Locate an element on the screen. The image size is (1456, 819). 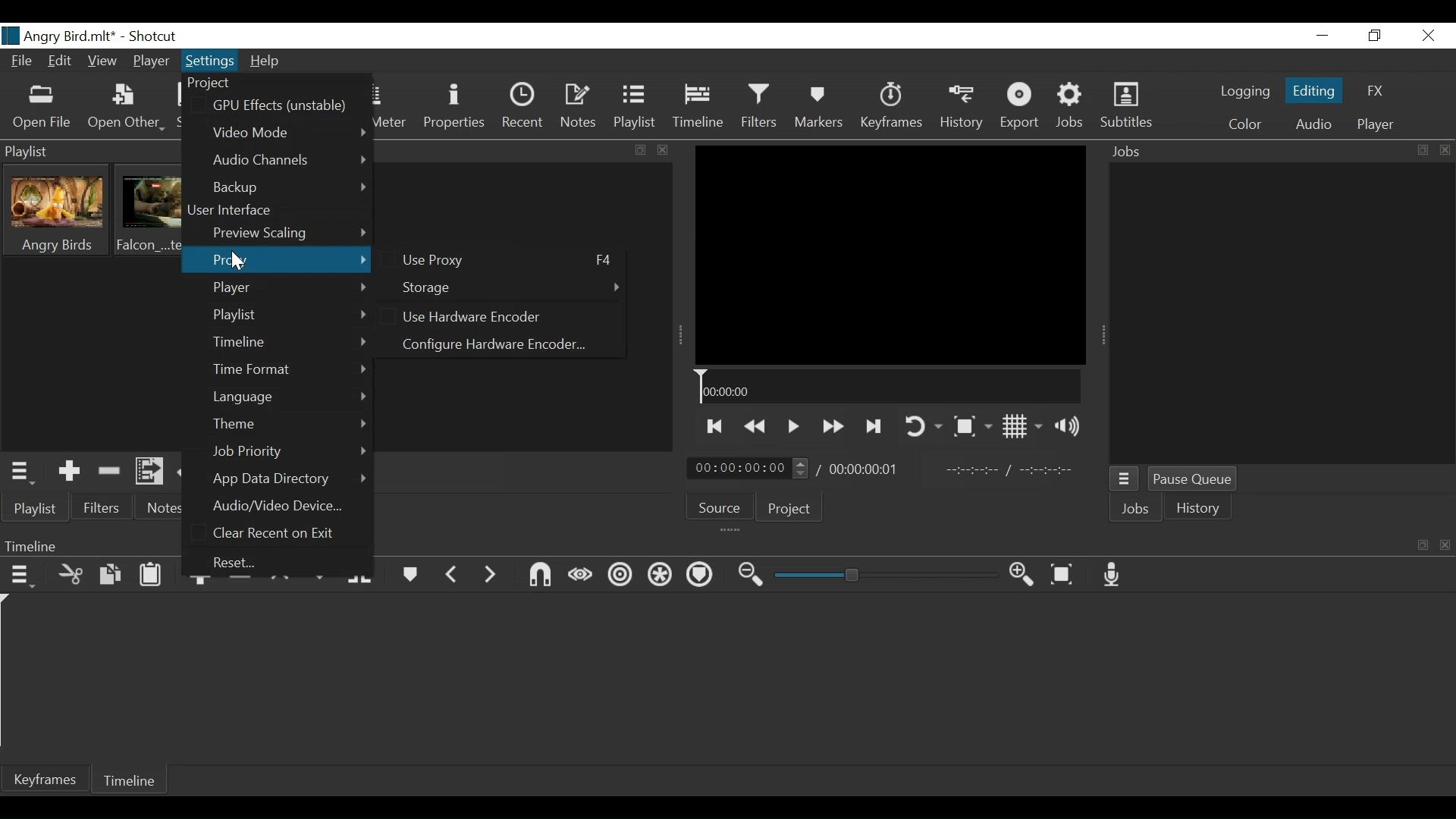
Cut is located at coordinates (69, 575).